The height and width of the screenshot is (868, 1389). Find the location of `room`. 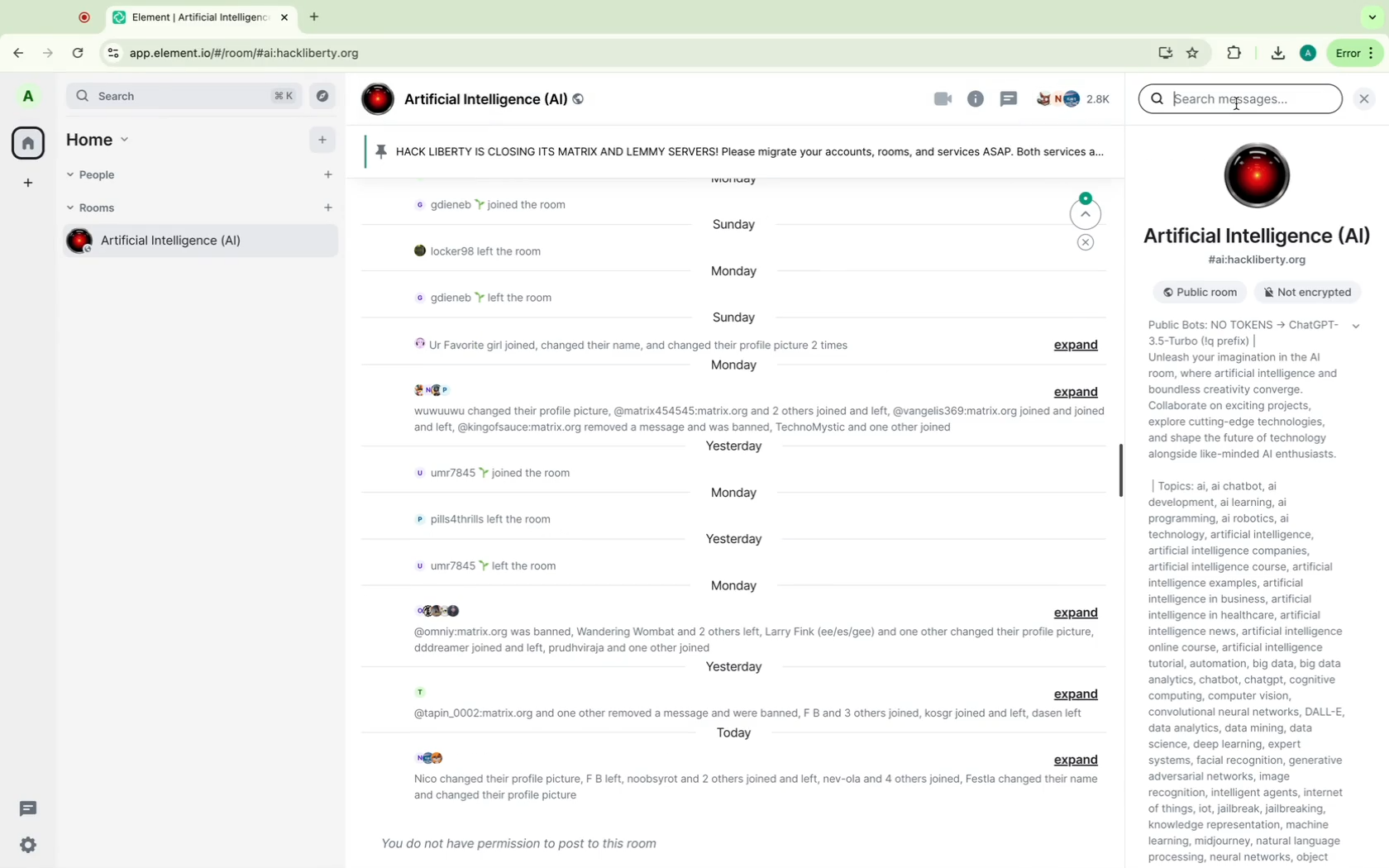

room is located at coordinates (197, 244).